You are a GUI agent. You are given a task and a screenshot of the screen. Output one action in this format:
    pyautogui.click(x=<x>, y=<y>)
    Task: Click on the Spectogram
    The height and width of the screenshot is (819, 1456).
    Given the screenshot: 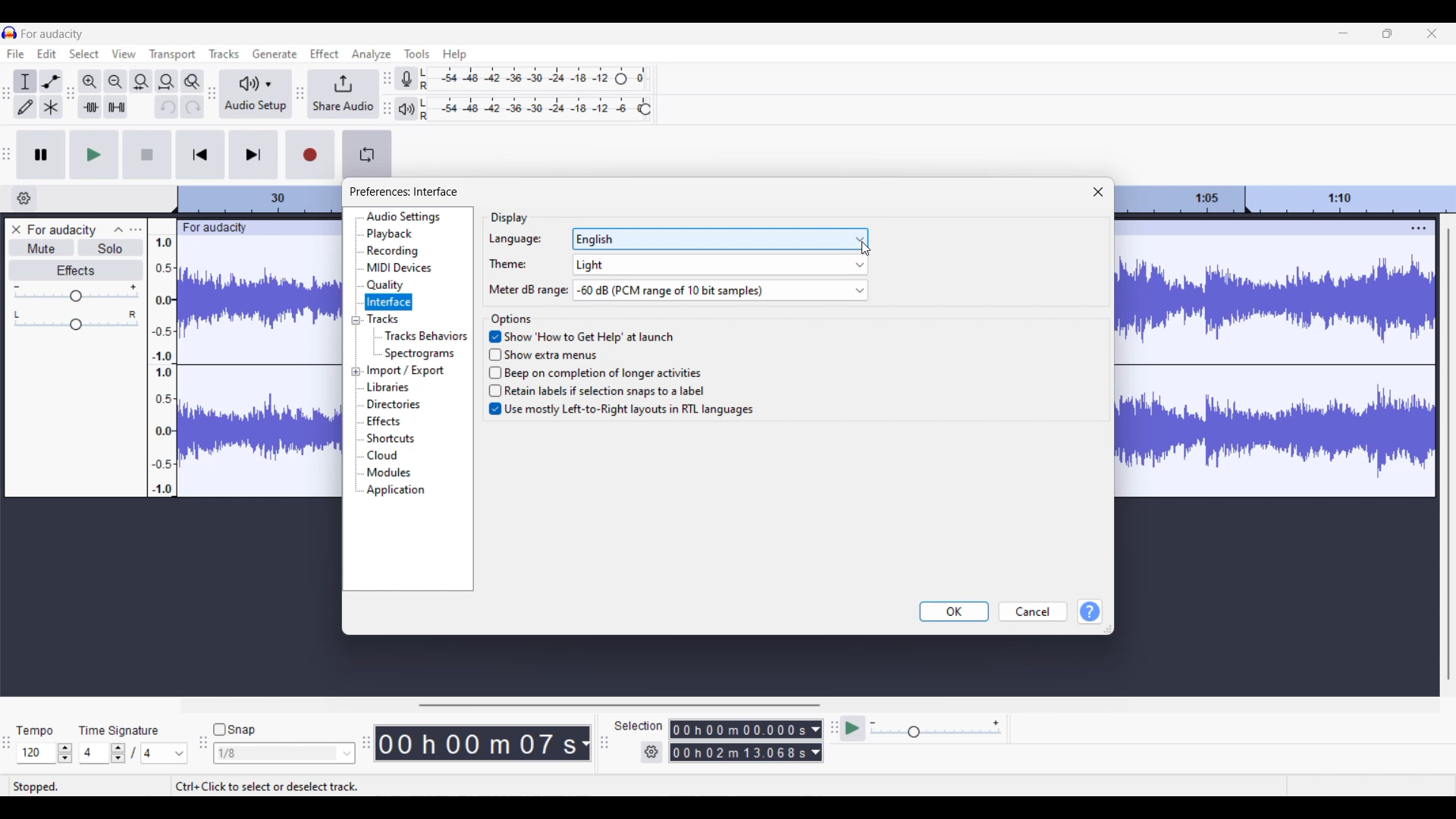 What is the action you would take?
    pyautogui.click(x=422, y=353)
    